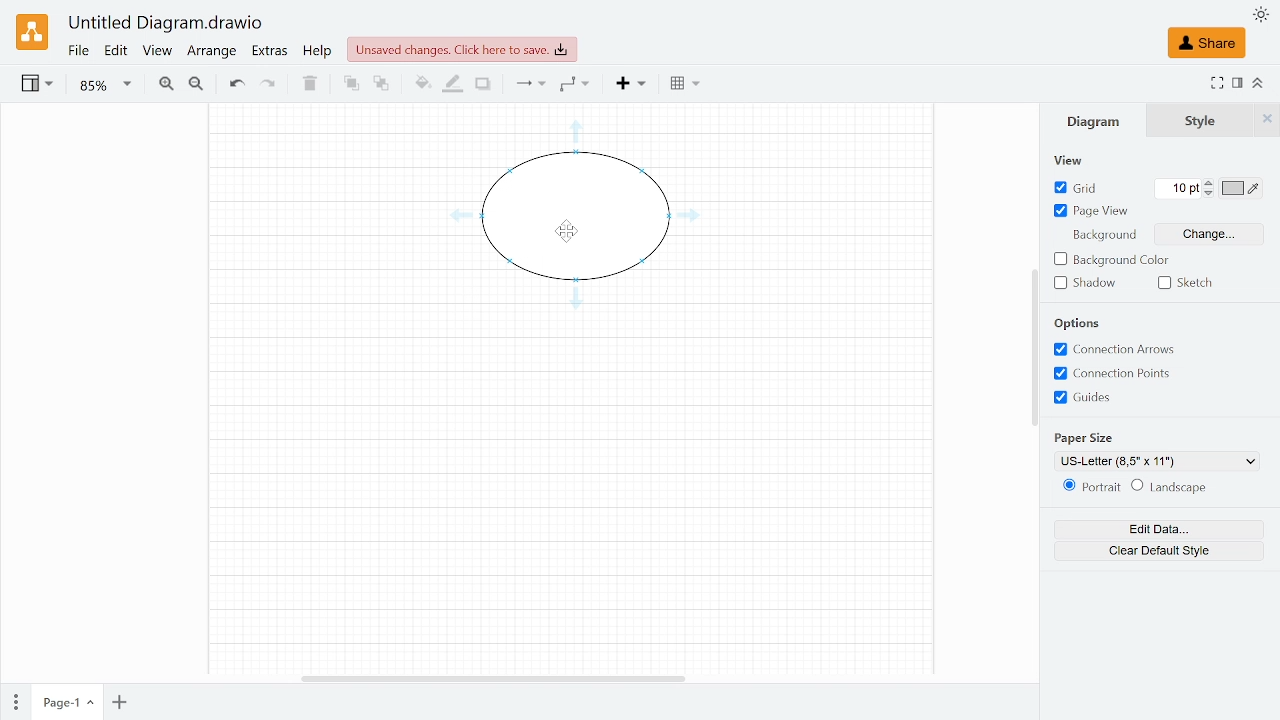 Image resolution: width=1280 pixels, height=720 pixels. What do you see at coordinates (626, 85) in the screenshot?
I see `insert` at bounding box center [626, 85].